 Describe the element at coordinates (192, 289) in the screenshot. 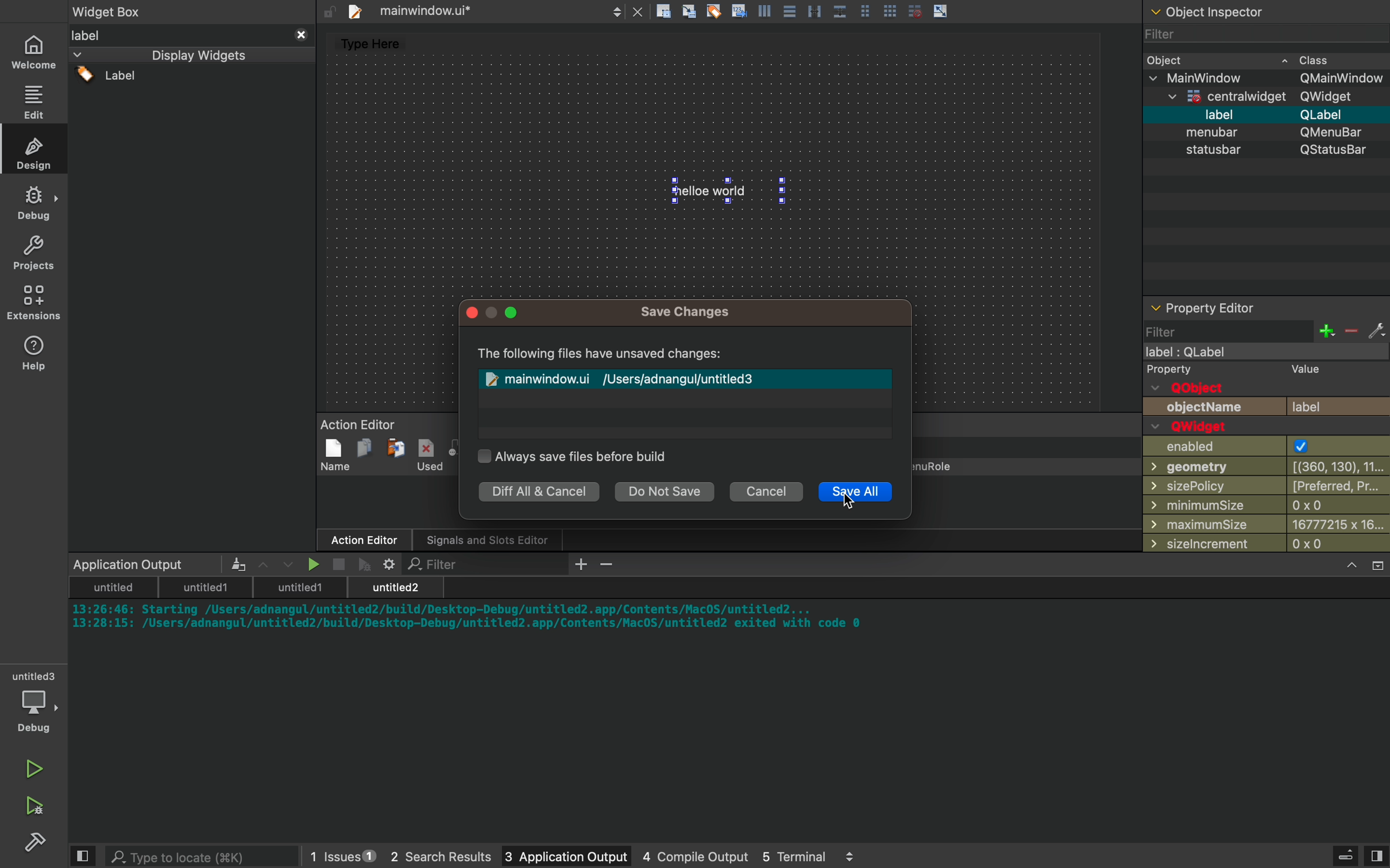

I see `widgets` at that location.